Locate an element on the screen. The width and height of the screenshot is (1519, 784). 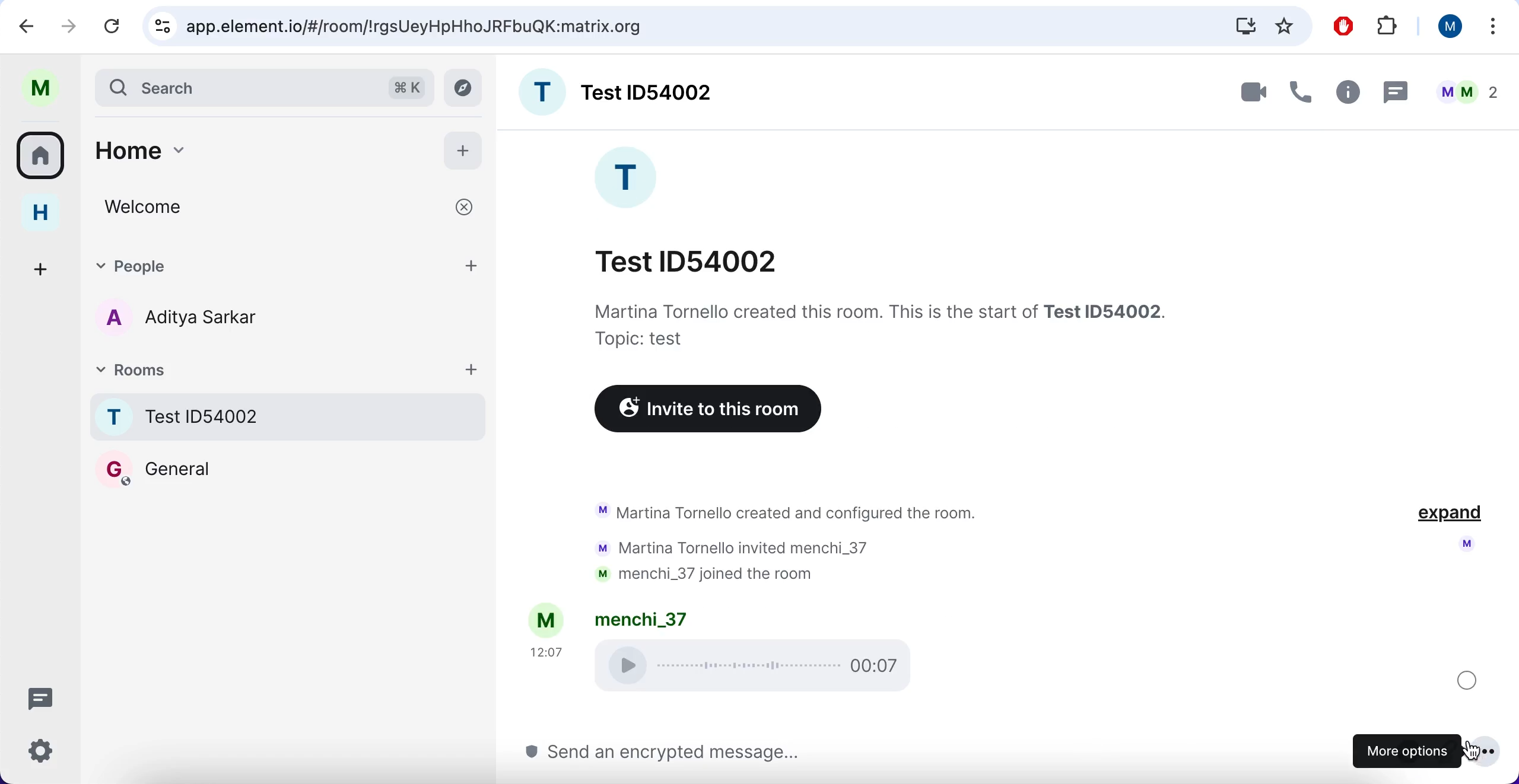
quick setting is located at coordinates (40, 753).